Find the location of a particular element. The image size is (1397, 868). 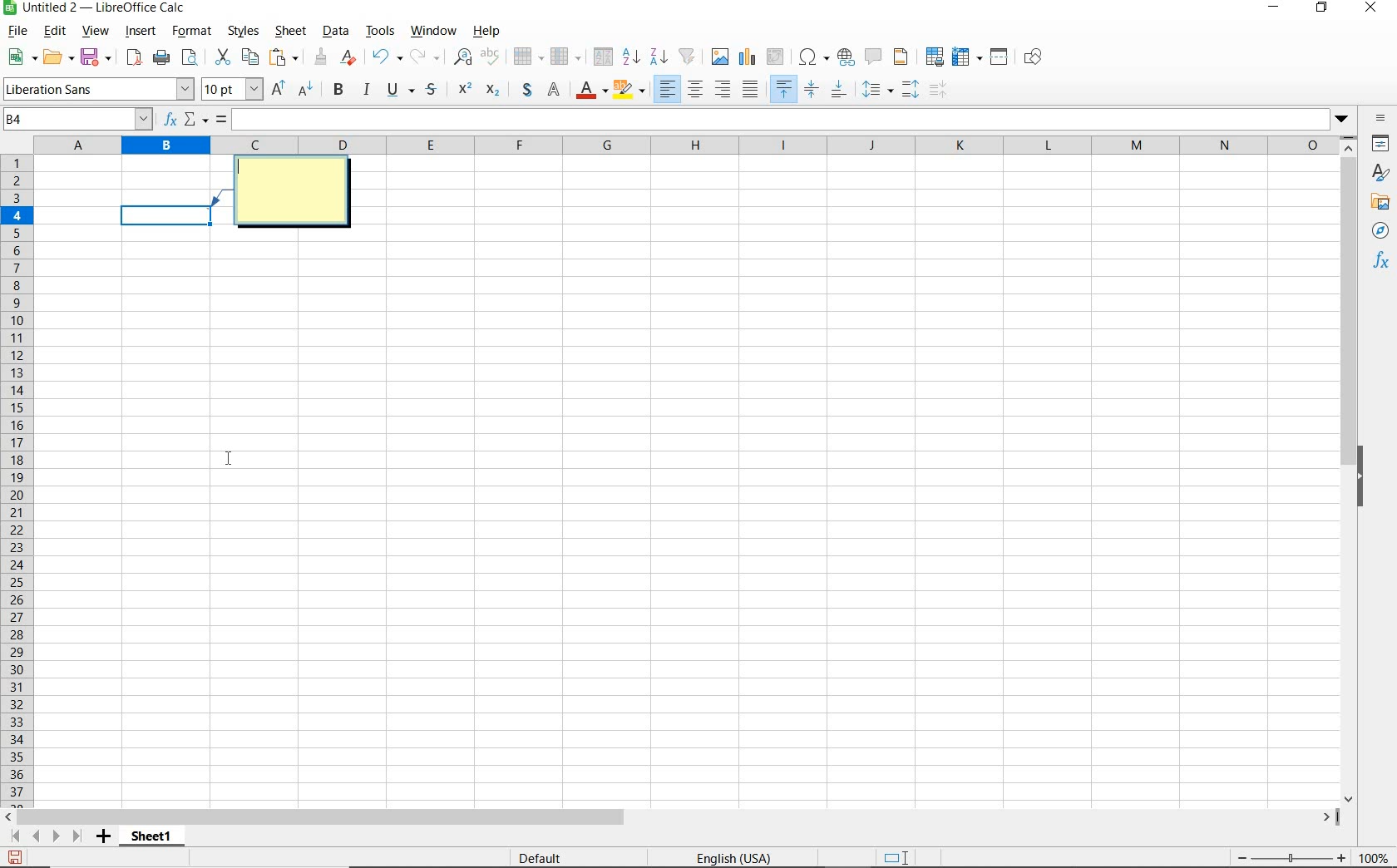

cursor is located at coordinates (261, 174).